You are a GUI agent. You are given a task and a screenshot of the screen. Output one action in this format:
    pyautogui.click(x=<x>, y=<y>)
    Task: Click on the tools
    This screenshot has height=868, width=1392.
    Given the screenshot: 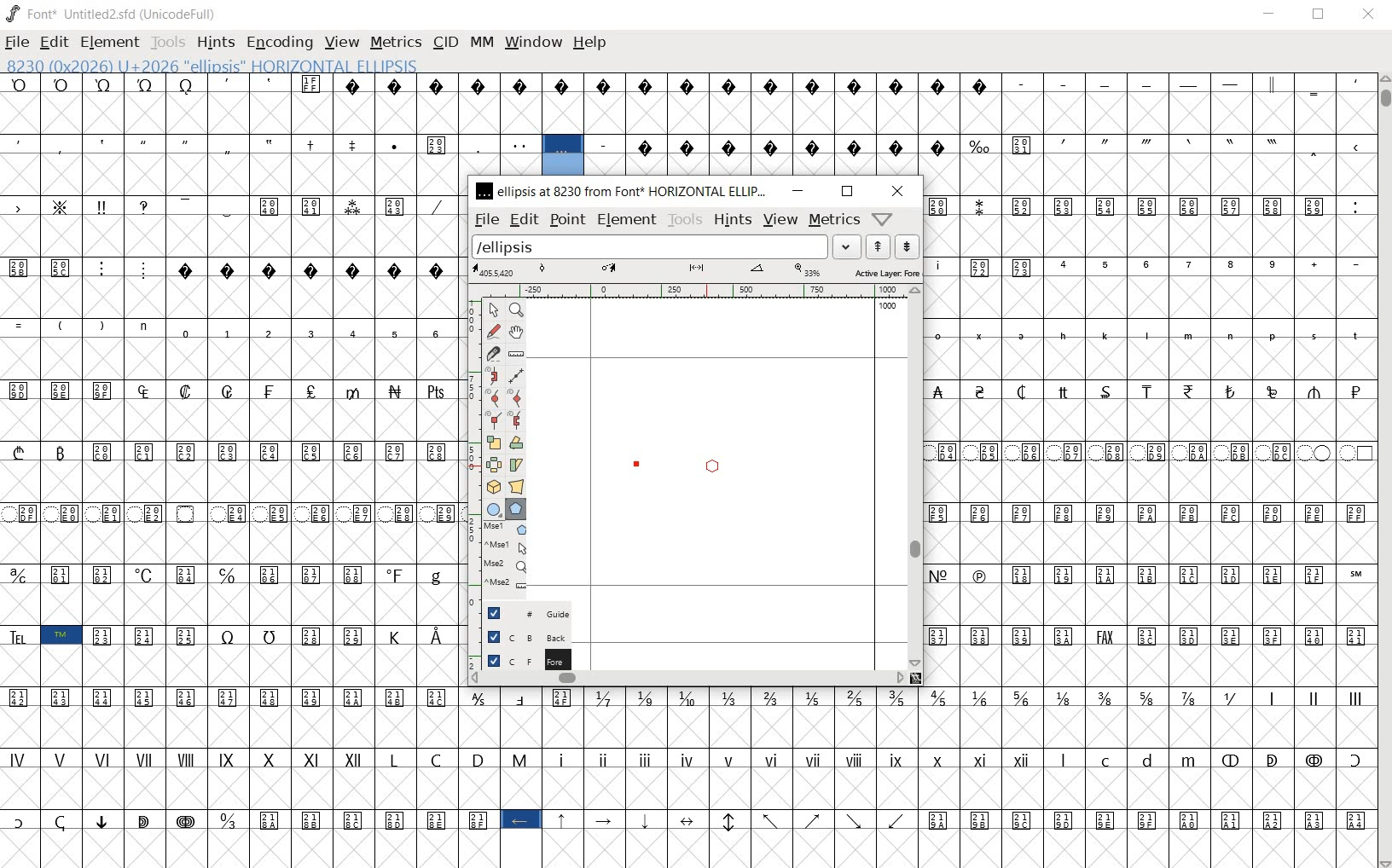 What is the action you would take?
    pyautogui.click(x=686, y=219)
    